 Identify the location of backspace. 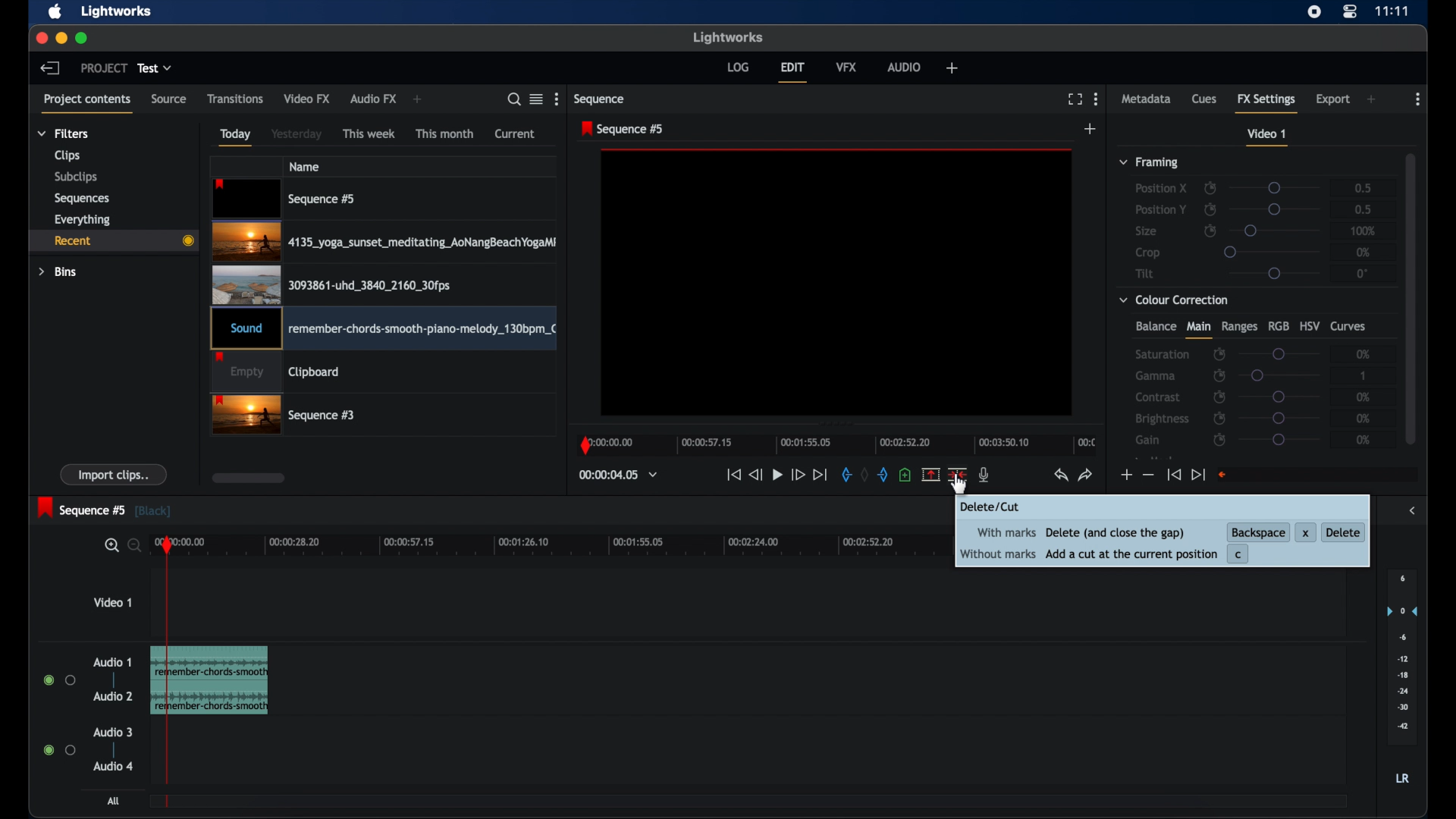
(1258, 530).